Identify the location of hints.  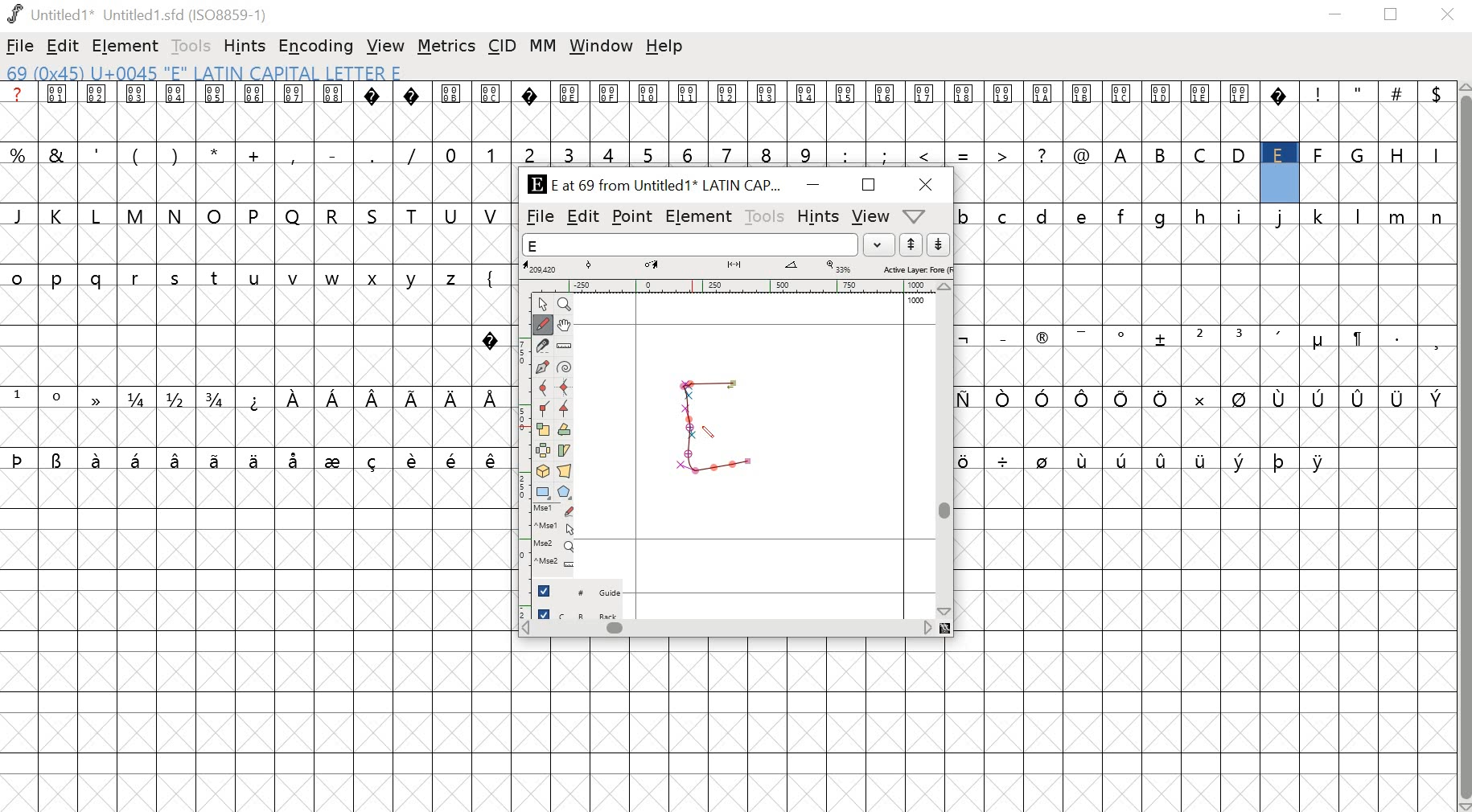
(245, 47).